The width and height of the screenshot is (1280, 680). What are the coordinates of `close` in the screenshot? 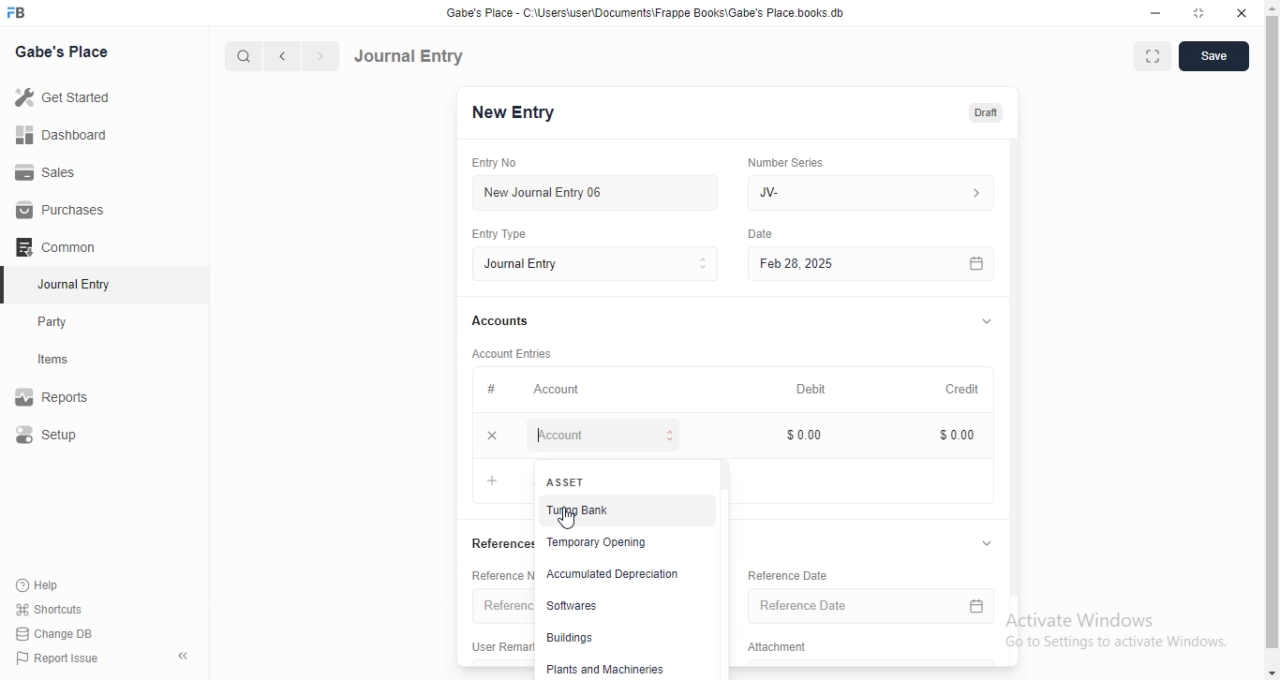 It's located at (1242, 13).